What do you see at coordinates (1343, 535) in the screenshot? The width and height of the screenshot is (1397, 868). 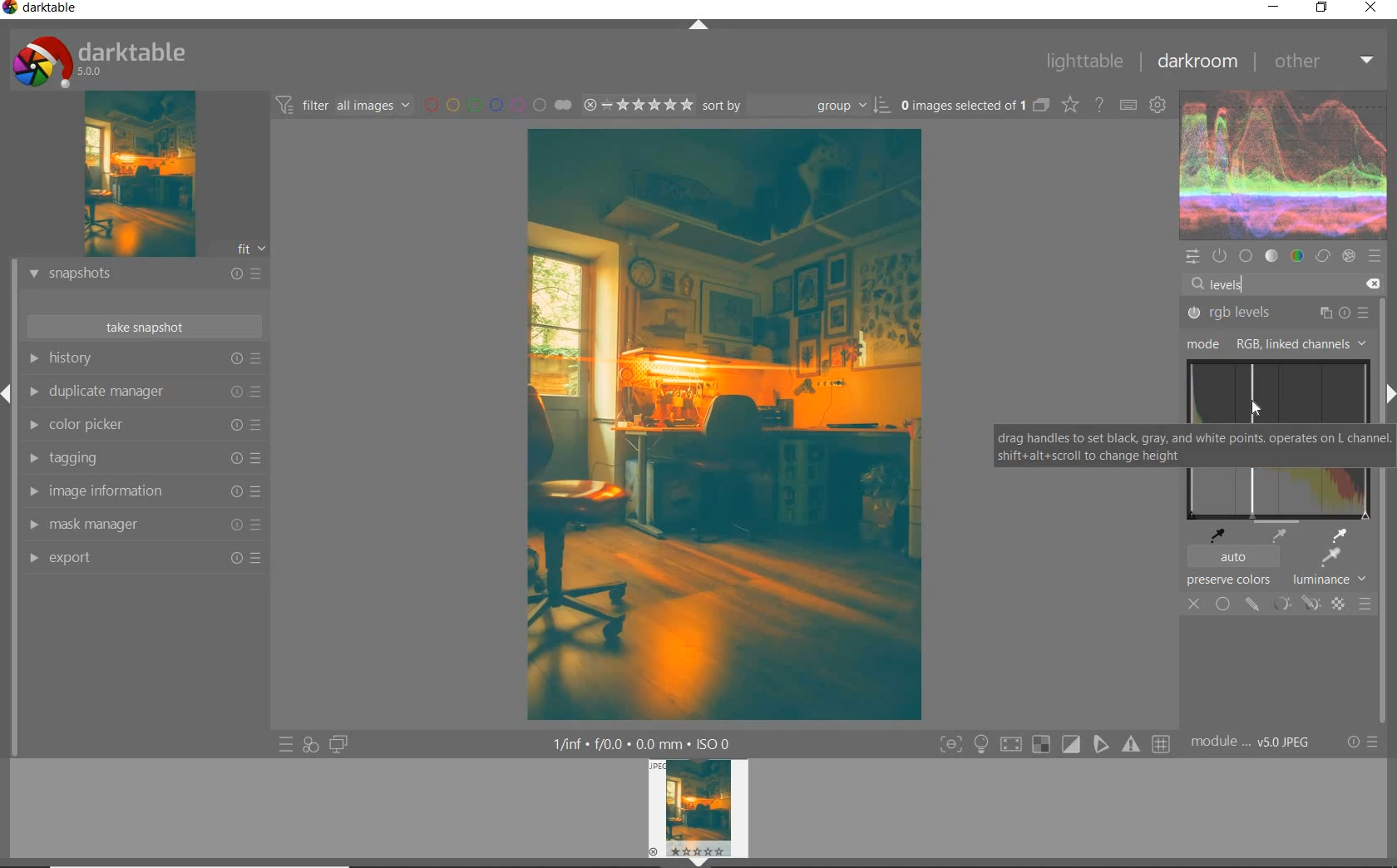 I see `pick white point with image` at bounding box center [1343, 535].